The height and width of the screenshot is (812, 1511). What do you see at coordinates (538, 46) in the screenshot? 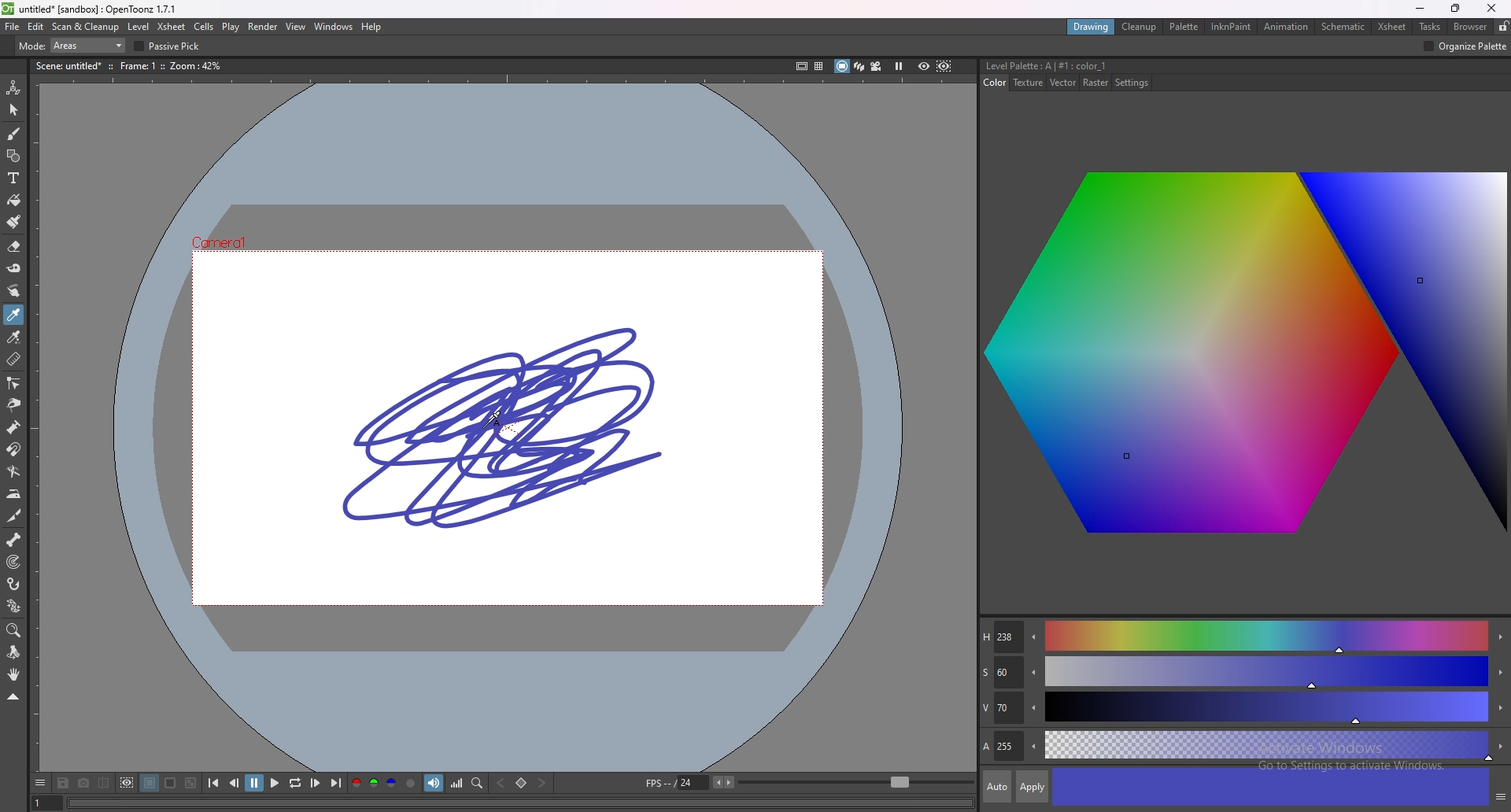
I see `scale` at bounding box center [538, 46].